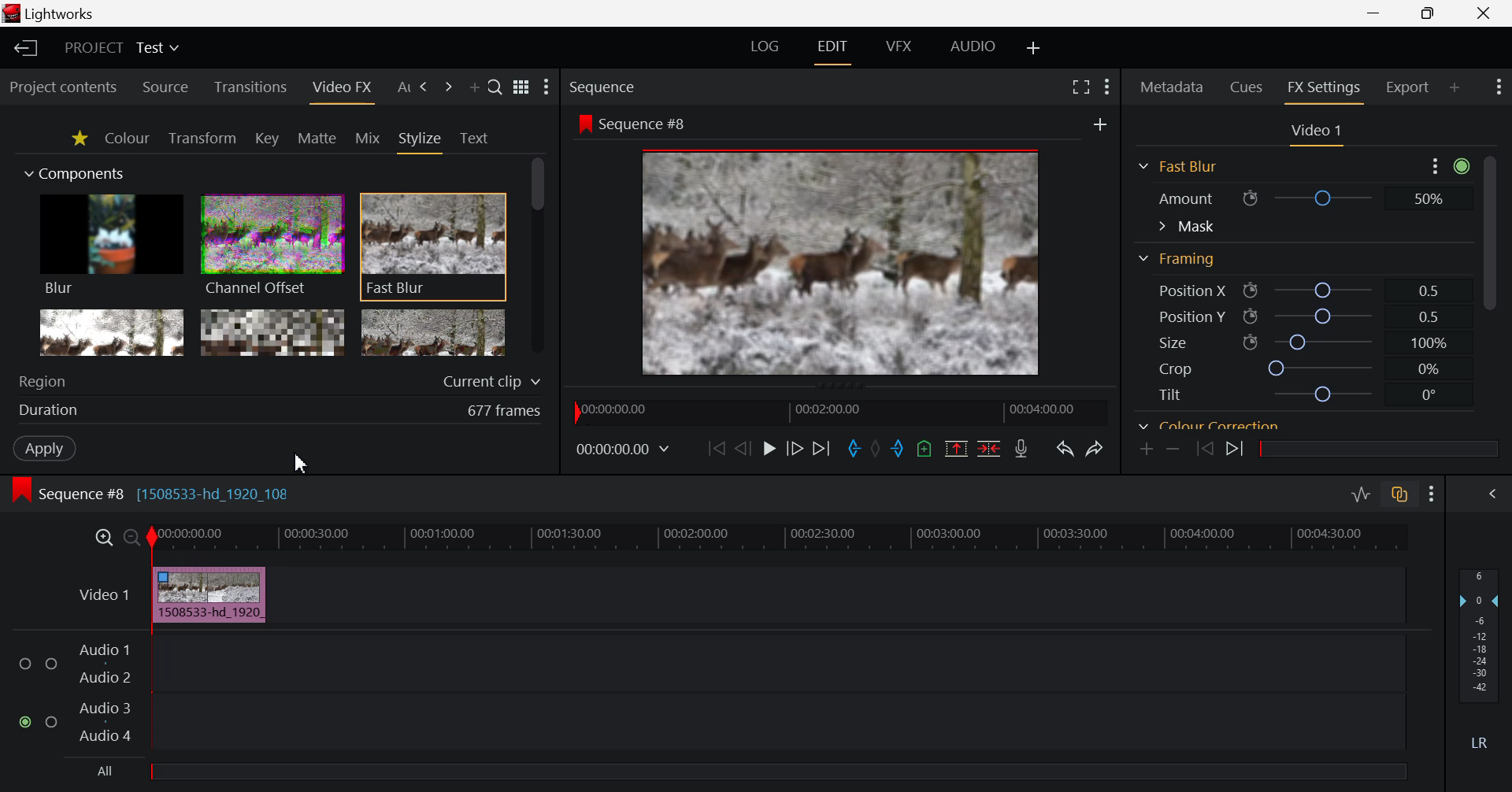 Image resolution: width=1512 pixels, height=792 pixels. I want to click on All, so click(102, 770).